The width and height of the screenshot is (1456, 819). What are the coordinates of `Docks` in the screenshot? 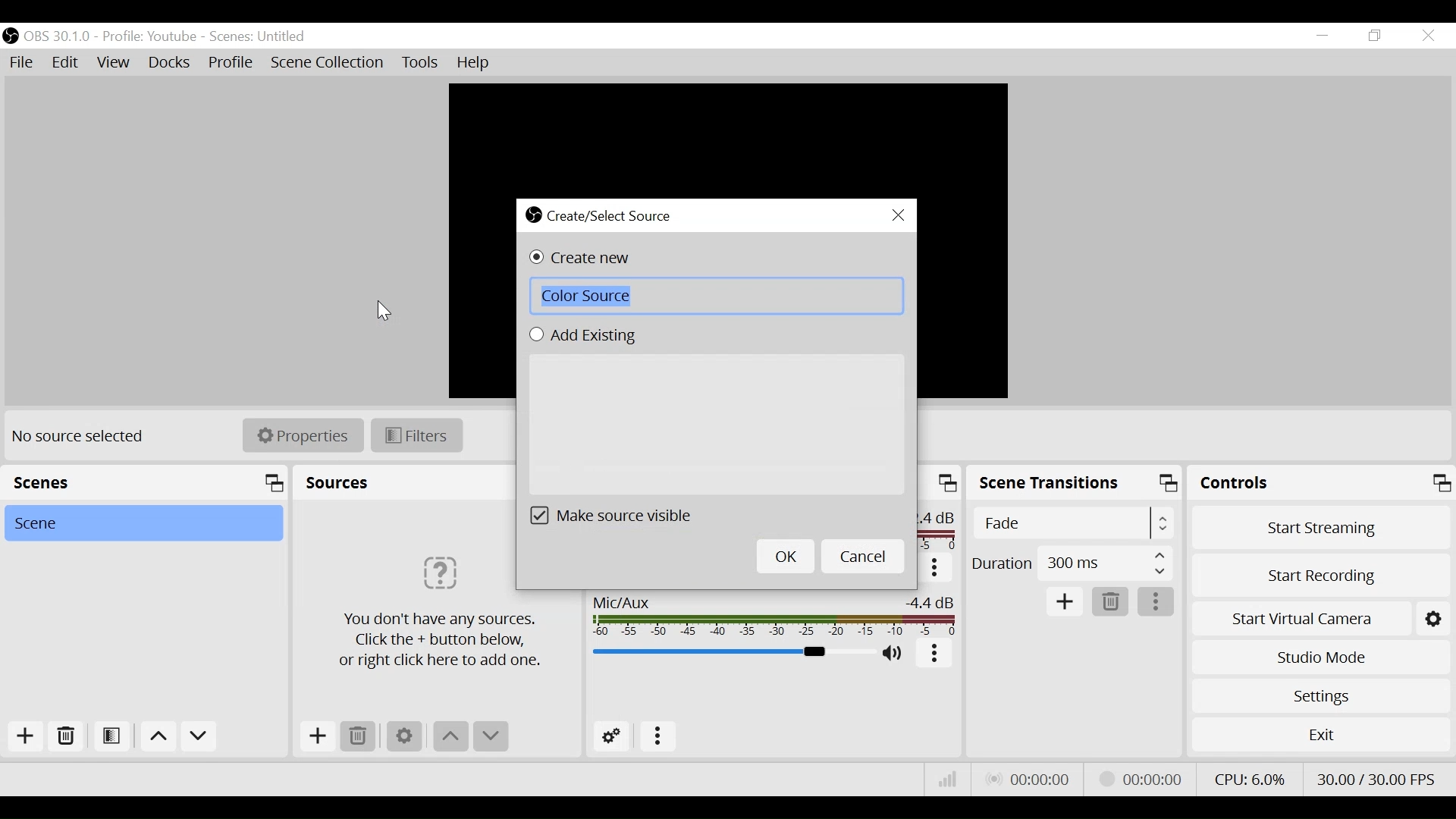 It's located at (171, 63).